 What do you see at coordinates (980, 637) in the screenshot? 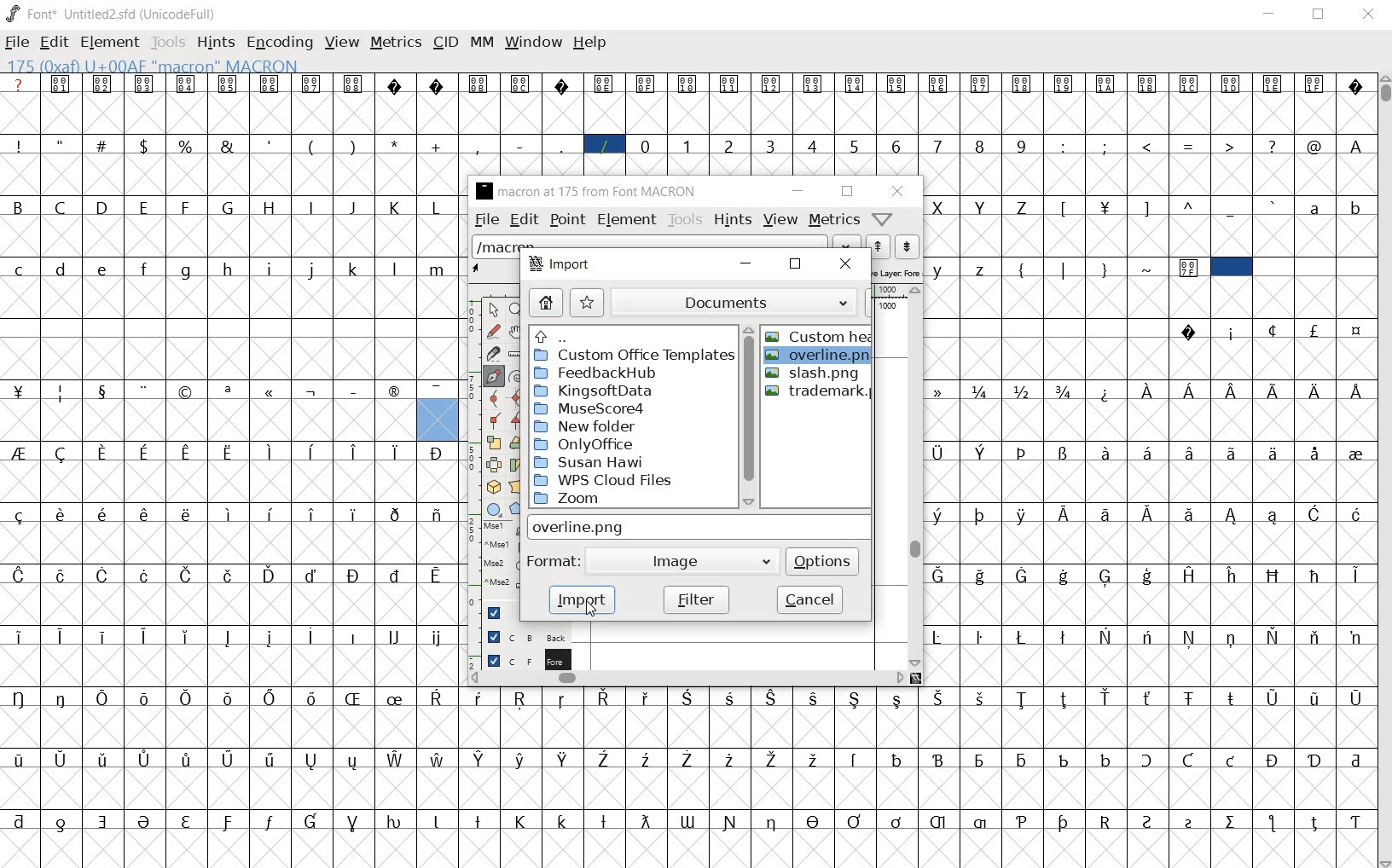
I see `Symbol` at bounding box center [980, 637].